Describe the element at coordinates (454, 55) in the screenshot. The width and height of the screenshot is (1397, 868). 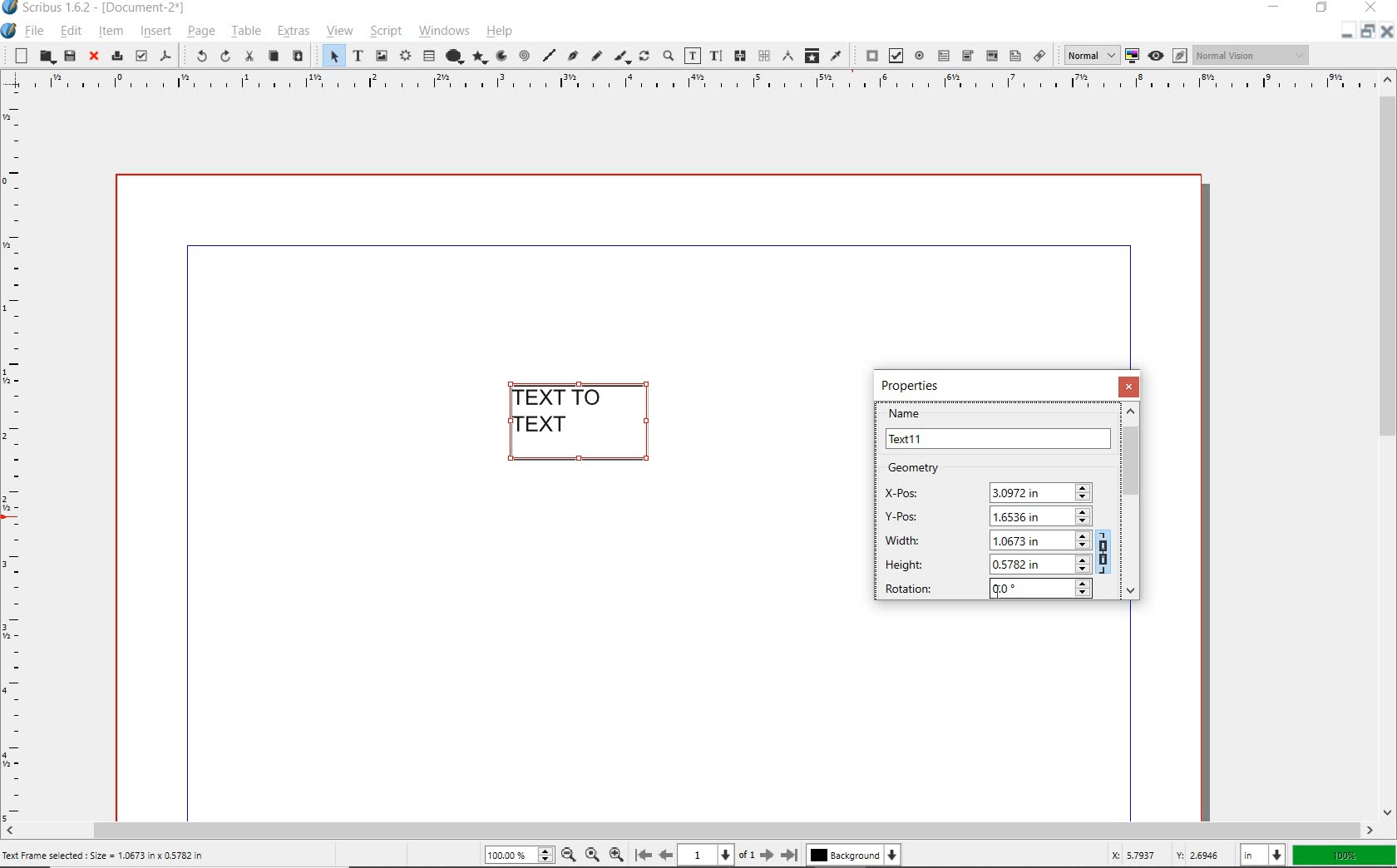
I see `shape` at that location.